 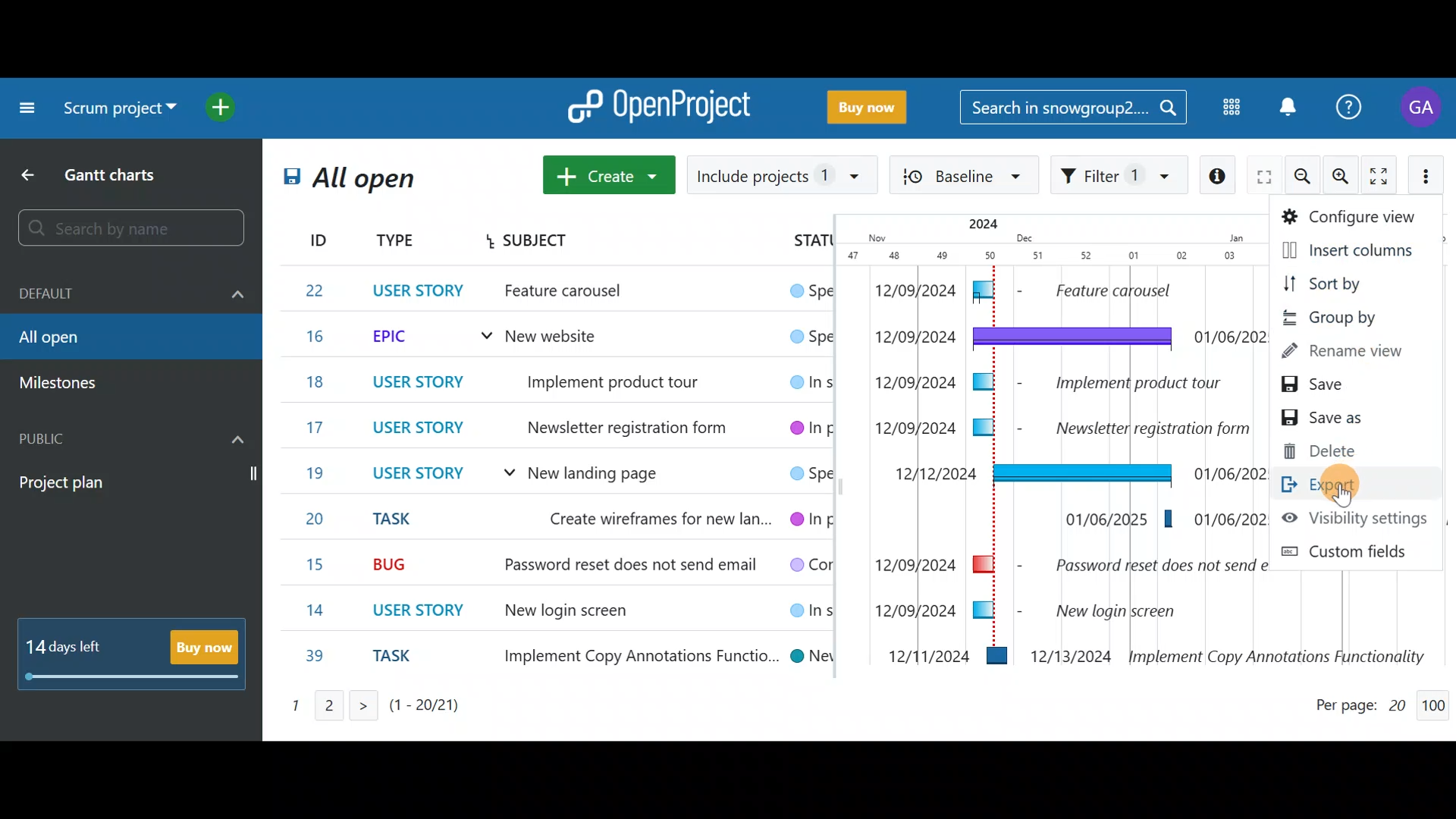 I want to click on Project plan, so click(x=133, y=483).